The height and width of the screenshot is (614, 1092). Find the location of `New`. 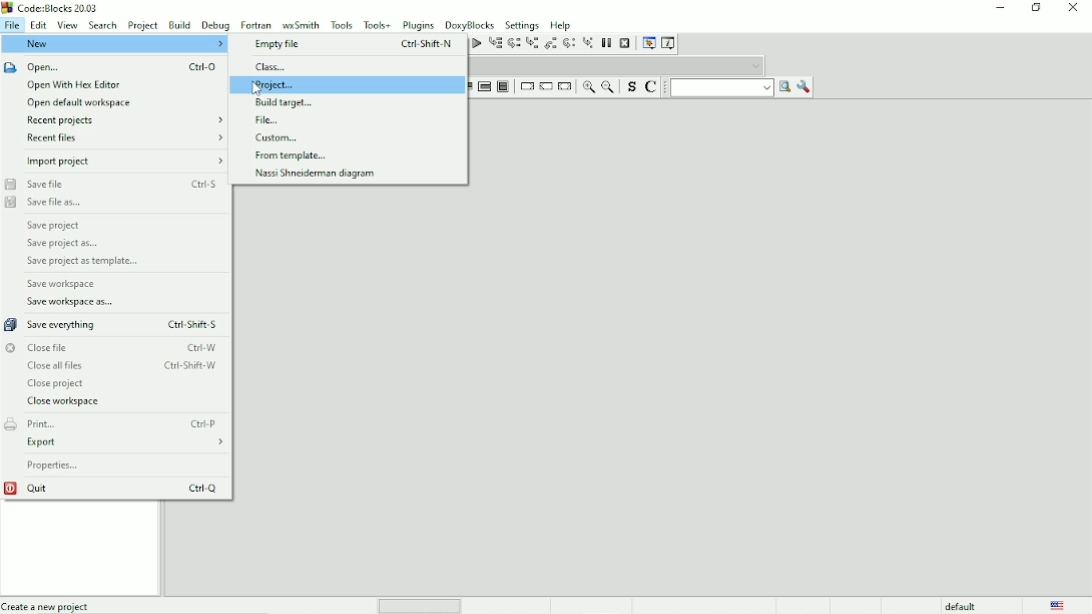

New is located at coordinates (114, 44).